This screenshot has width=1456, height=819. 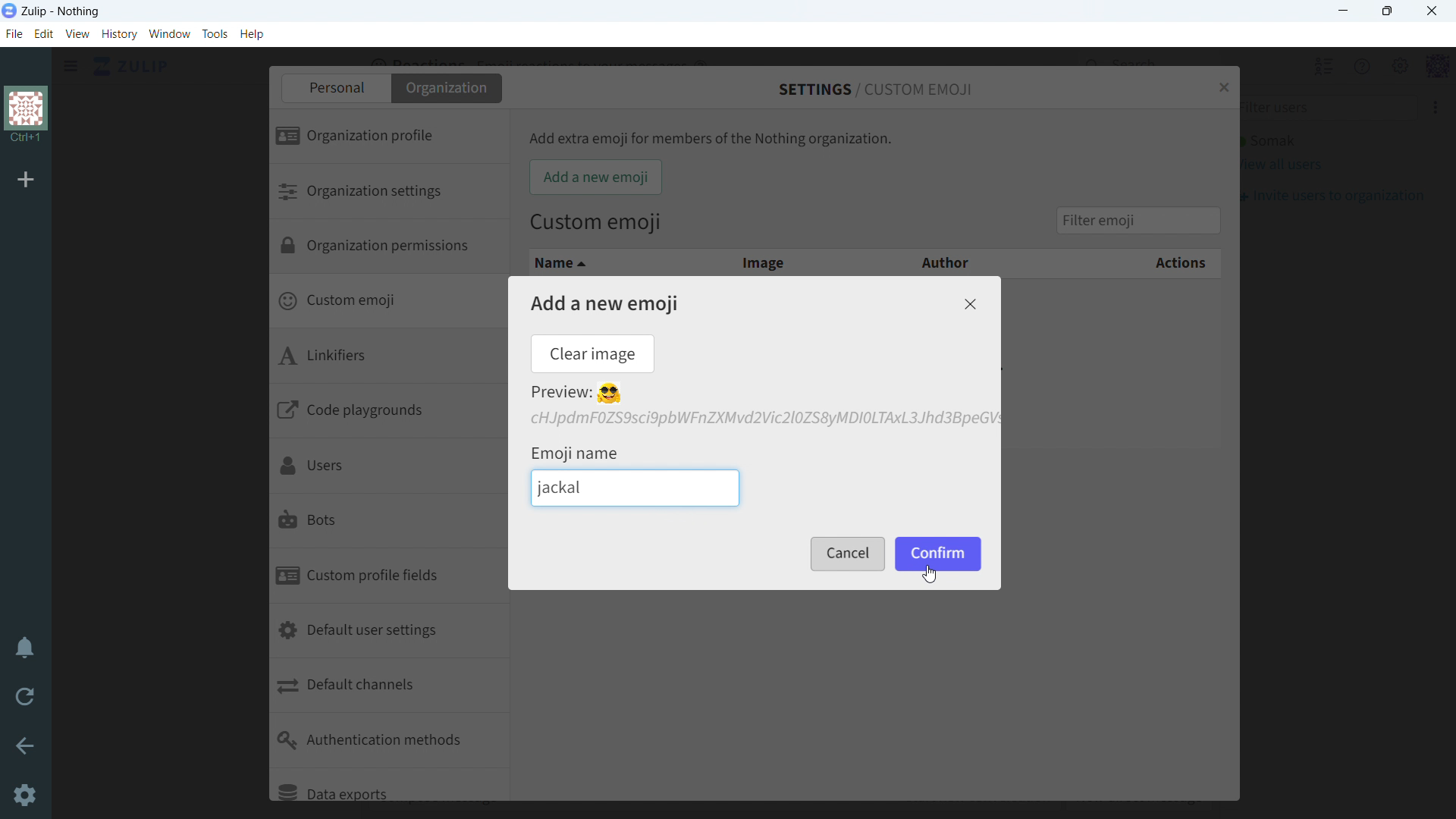 I want to click on scroll up, so click(x=1447, y=55).